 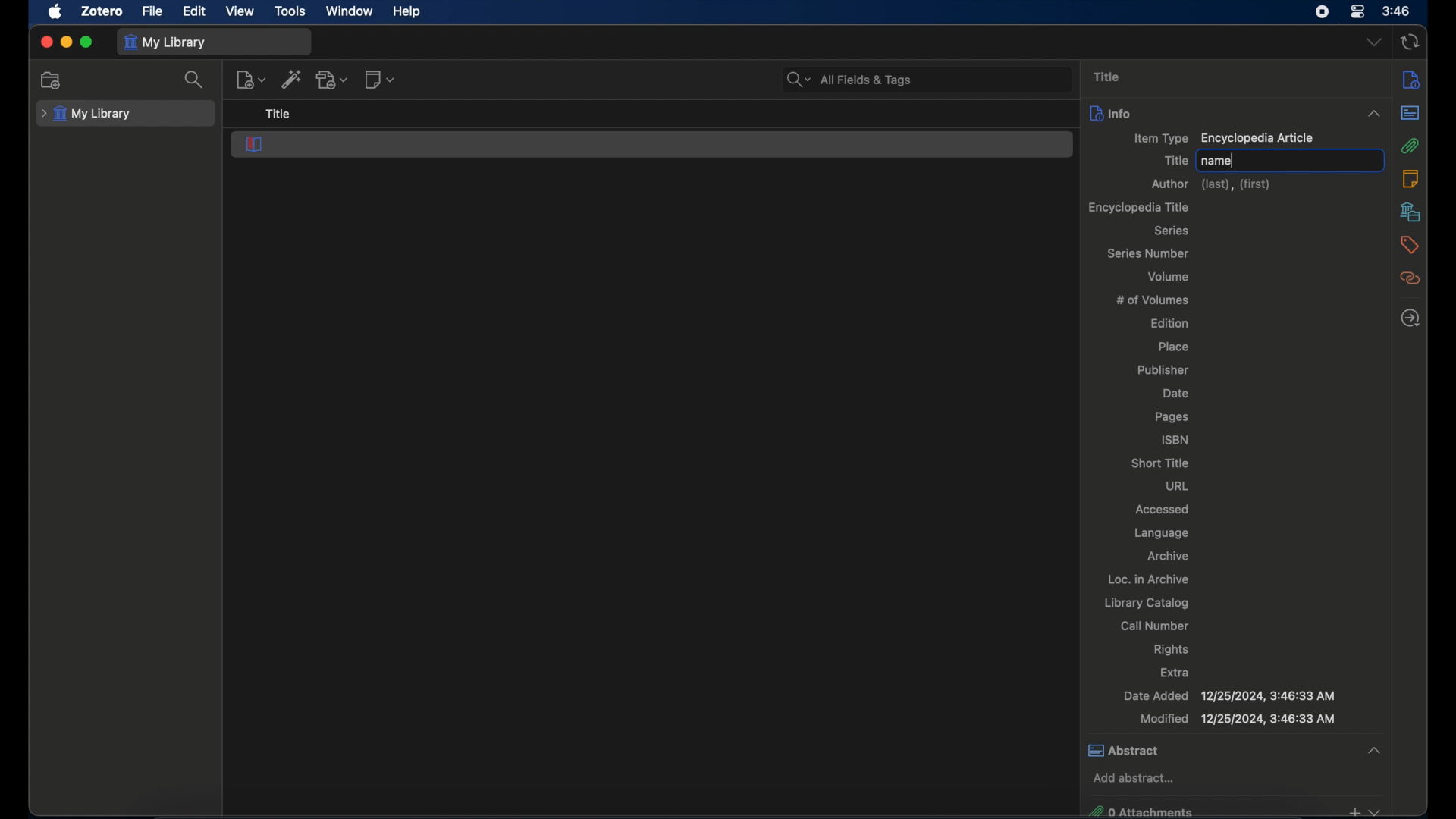 What do you see at coordinates (1410, 113) in the screenshot?
I see `abstract` at bounding box center [1410, 113].